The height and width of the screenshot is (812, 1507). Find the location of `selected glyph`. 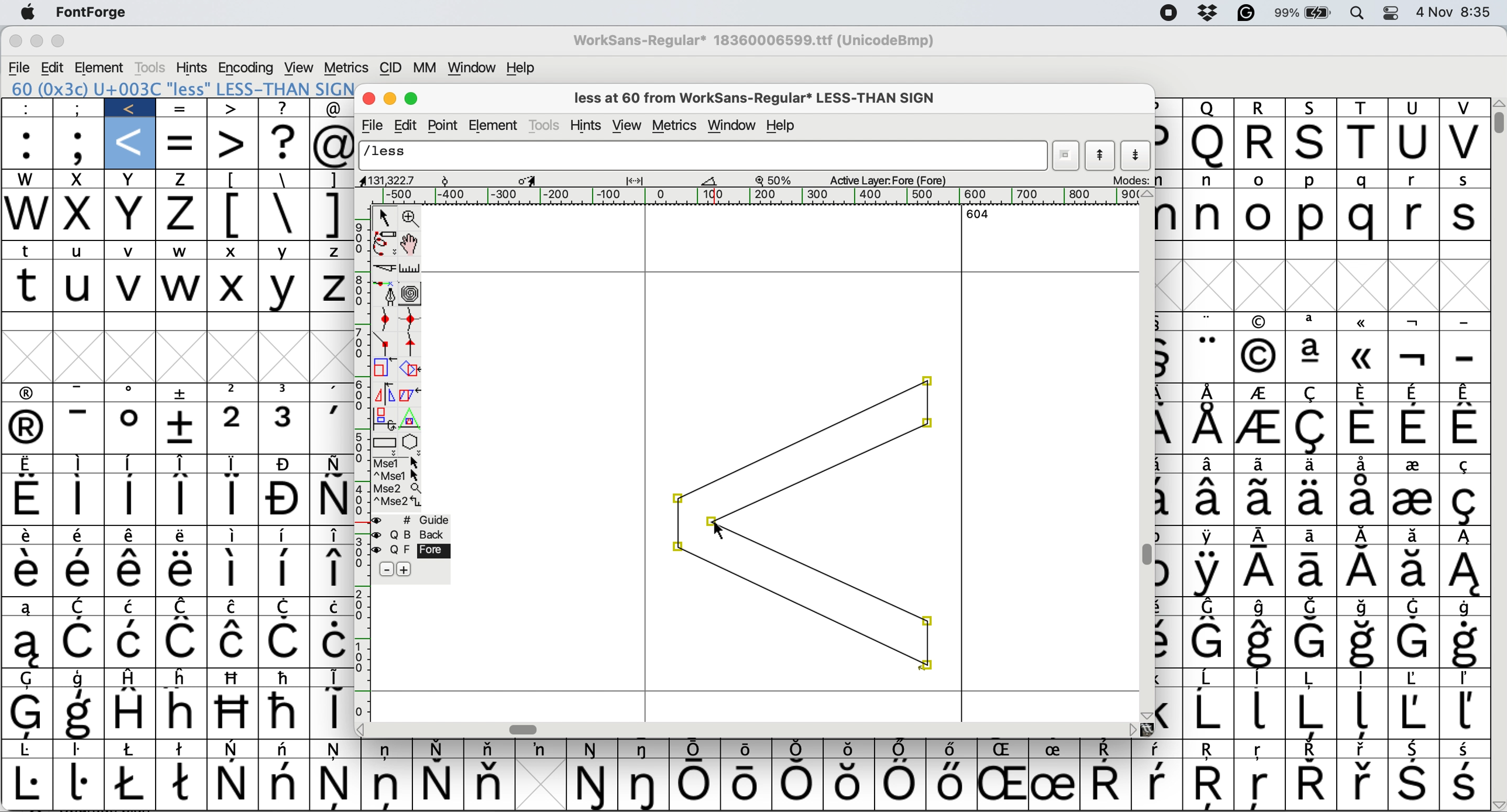

selected glyph is located at coordinates (806, 524).